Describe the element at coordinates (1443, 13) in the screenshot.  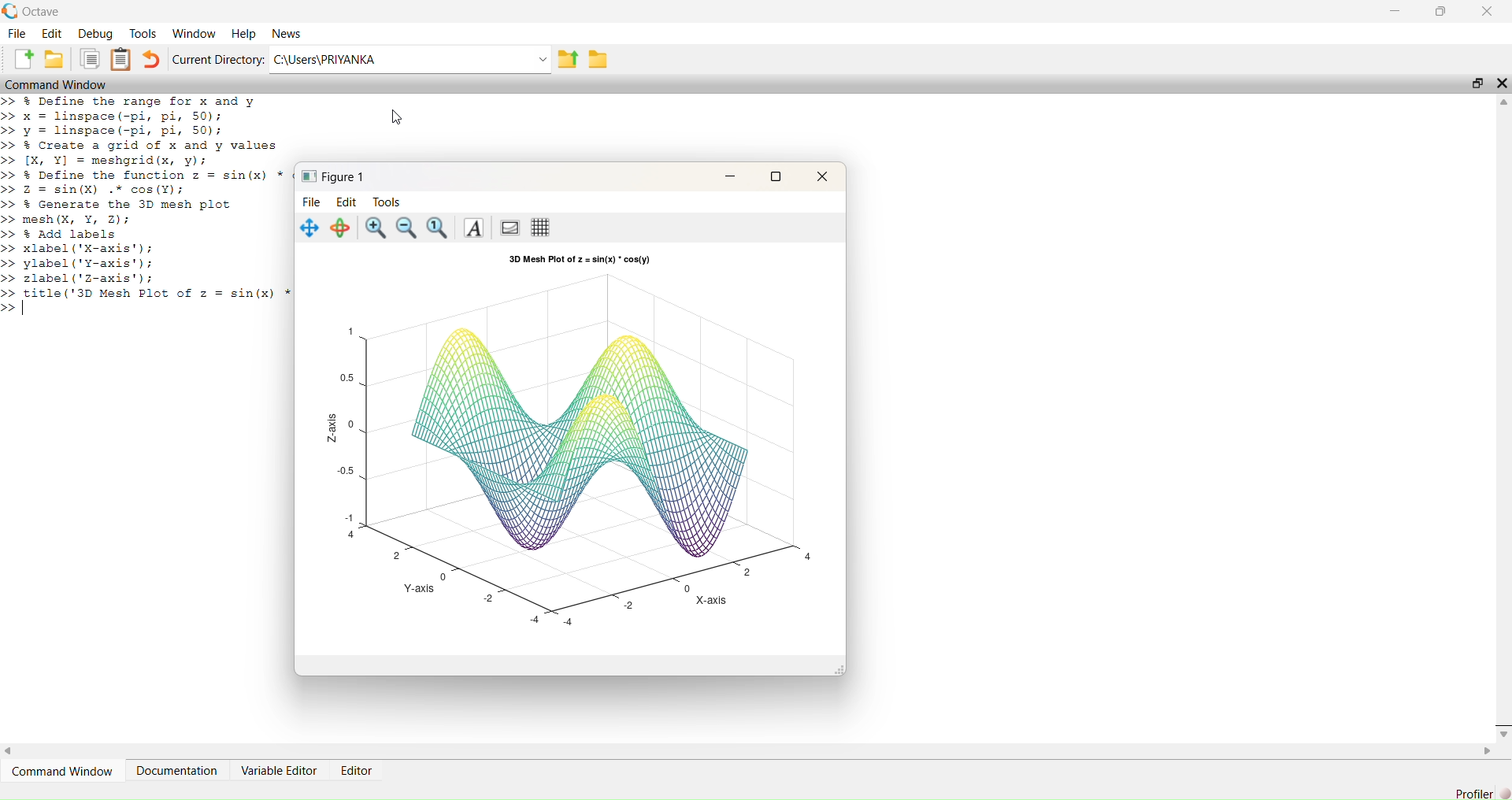
I see `Maximize/Restore` at that location.